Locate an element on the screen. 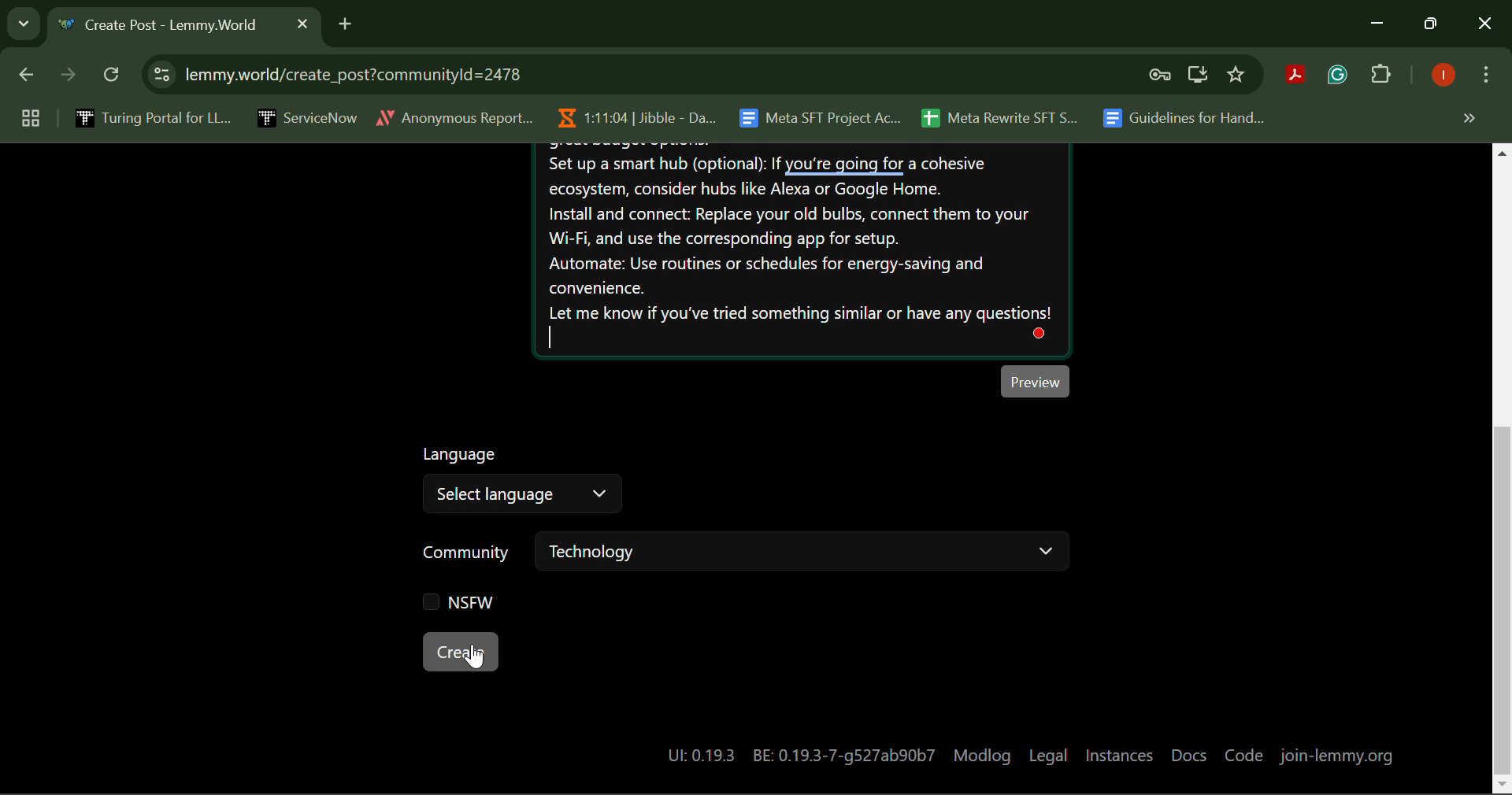 This screenshot has width=1512, height=795. Plugins is located at coordinates (1381, 77).